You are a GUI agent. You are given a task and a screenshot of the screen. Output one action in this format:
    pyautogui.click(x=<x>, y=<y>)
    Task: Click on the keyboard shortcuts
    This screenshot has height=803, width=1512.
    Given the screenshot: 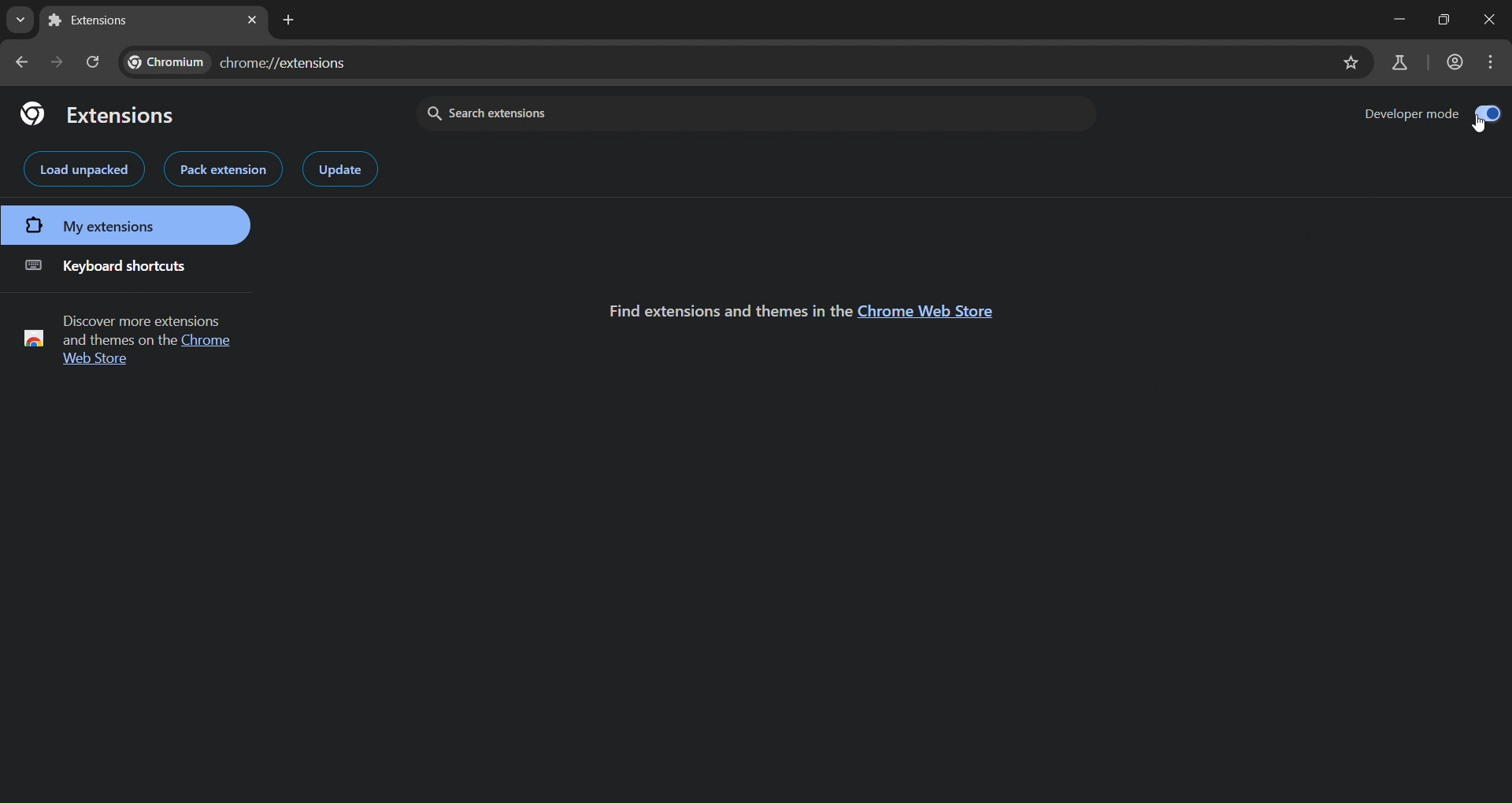 What is the action you would take?
    pyautogui.click(x=105, y=264)
    